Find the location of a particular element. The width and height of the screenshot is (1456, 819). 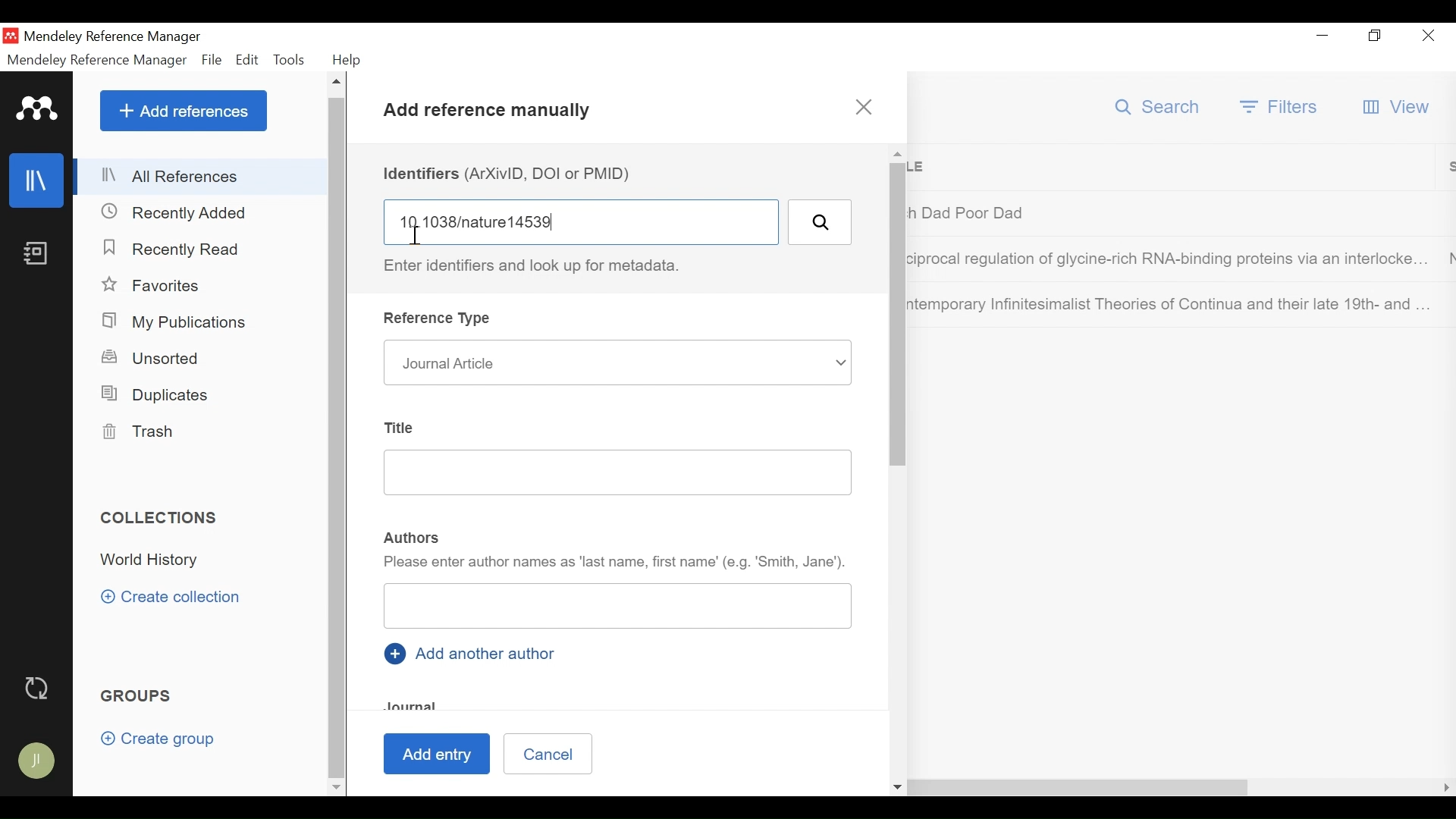

Library is located at coordinates (38, 180).